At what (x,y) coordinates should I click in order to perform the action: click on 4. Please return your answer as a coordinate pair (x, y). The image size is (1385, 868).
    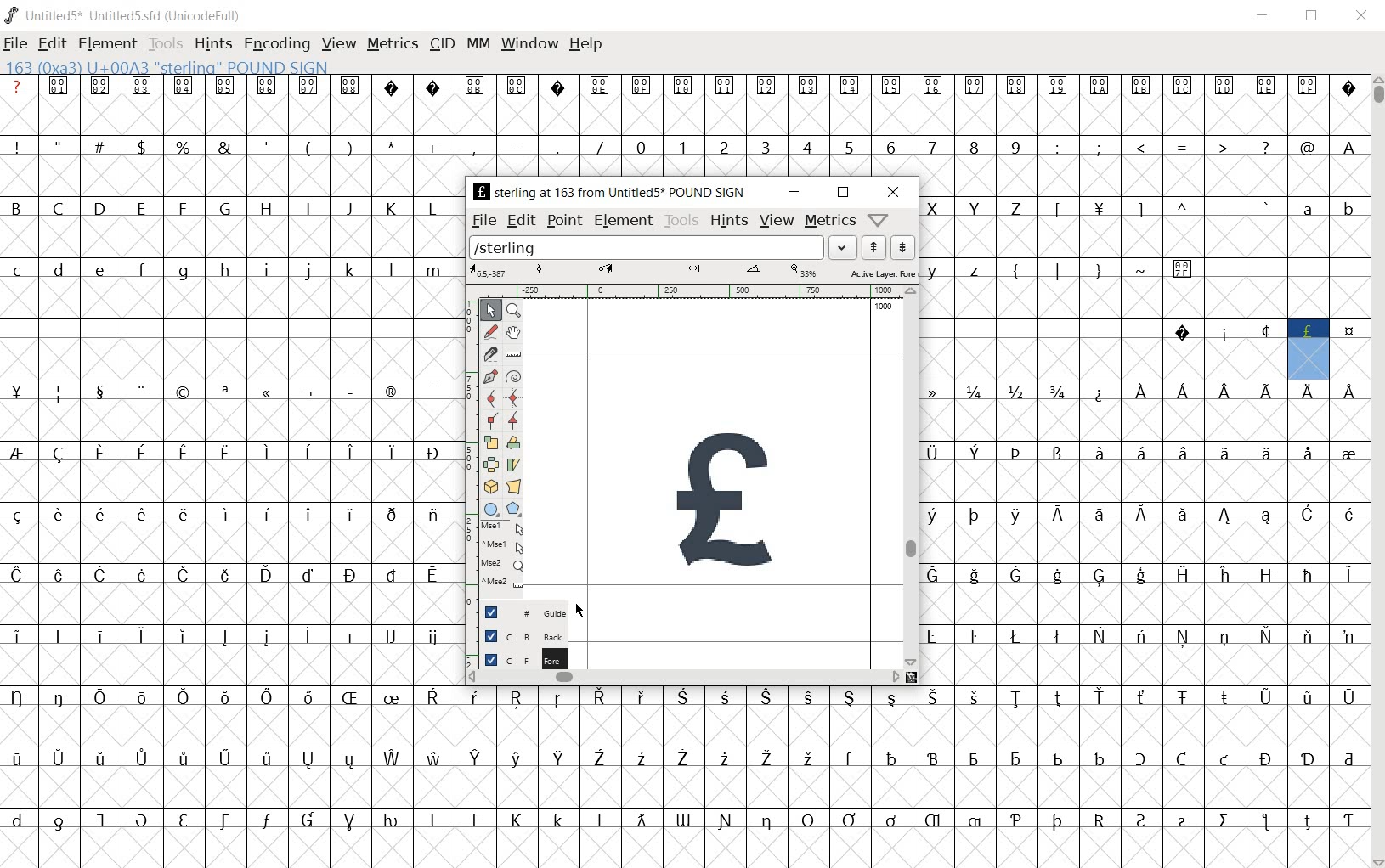
    Looking at the image, I should click on (806, 146).